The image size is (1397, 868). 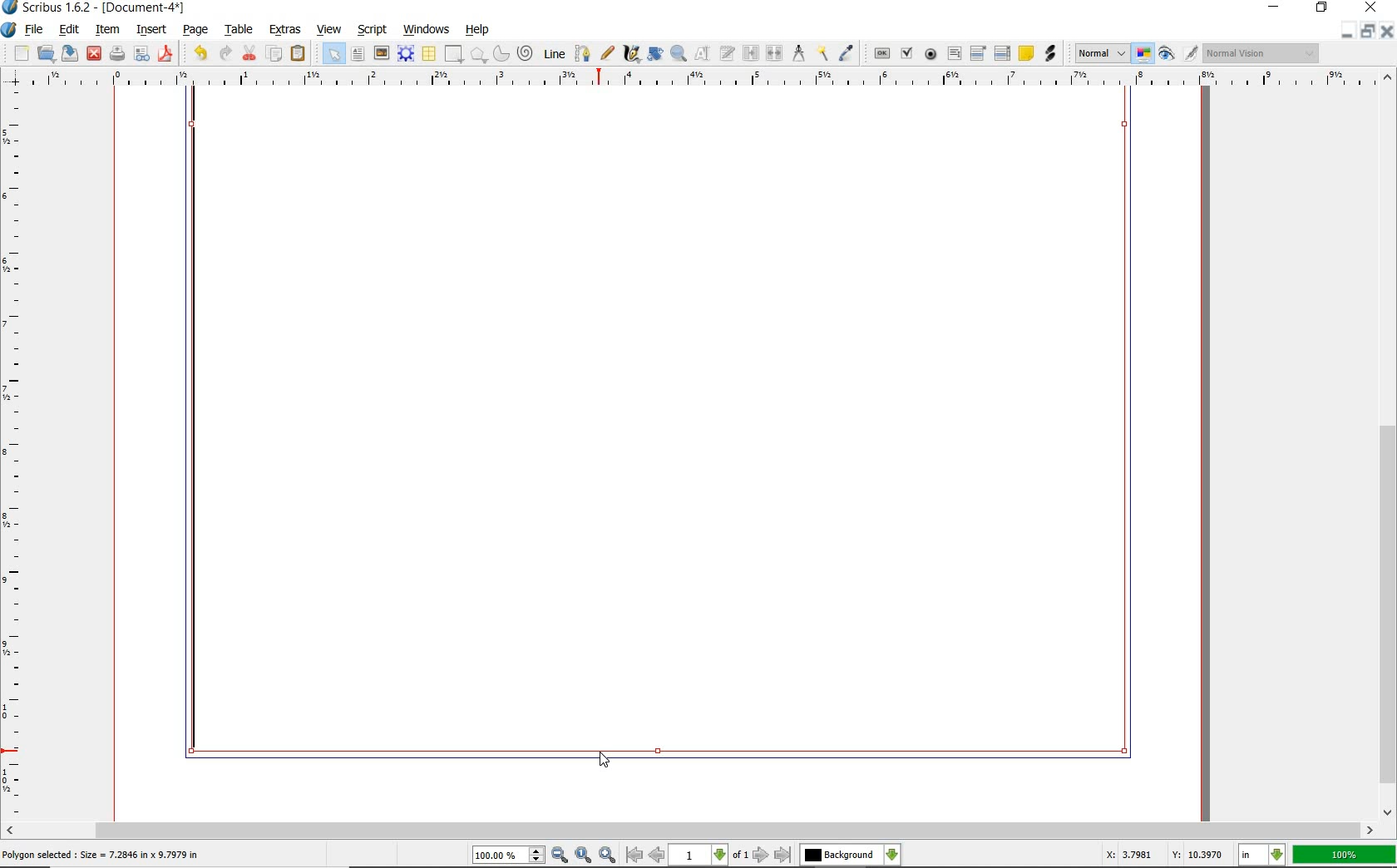 What do you see at coordinates (1159, 854) in the screenshot?
I see `X: 3.7981 Y: 10.3970` at bounding box center [1159, 854].